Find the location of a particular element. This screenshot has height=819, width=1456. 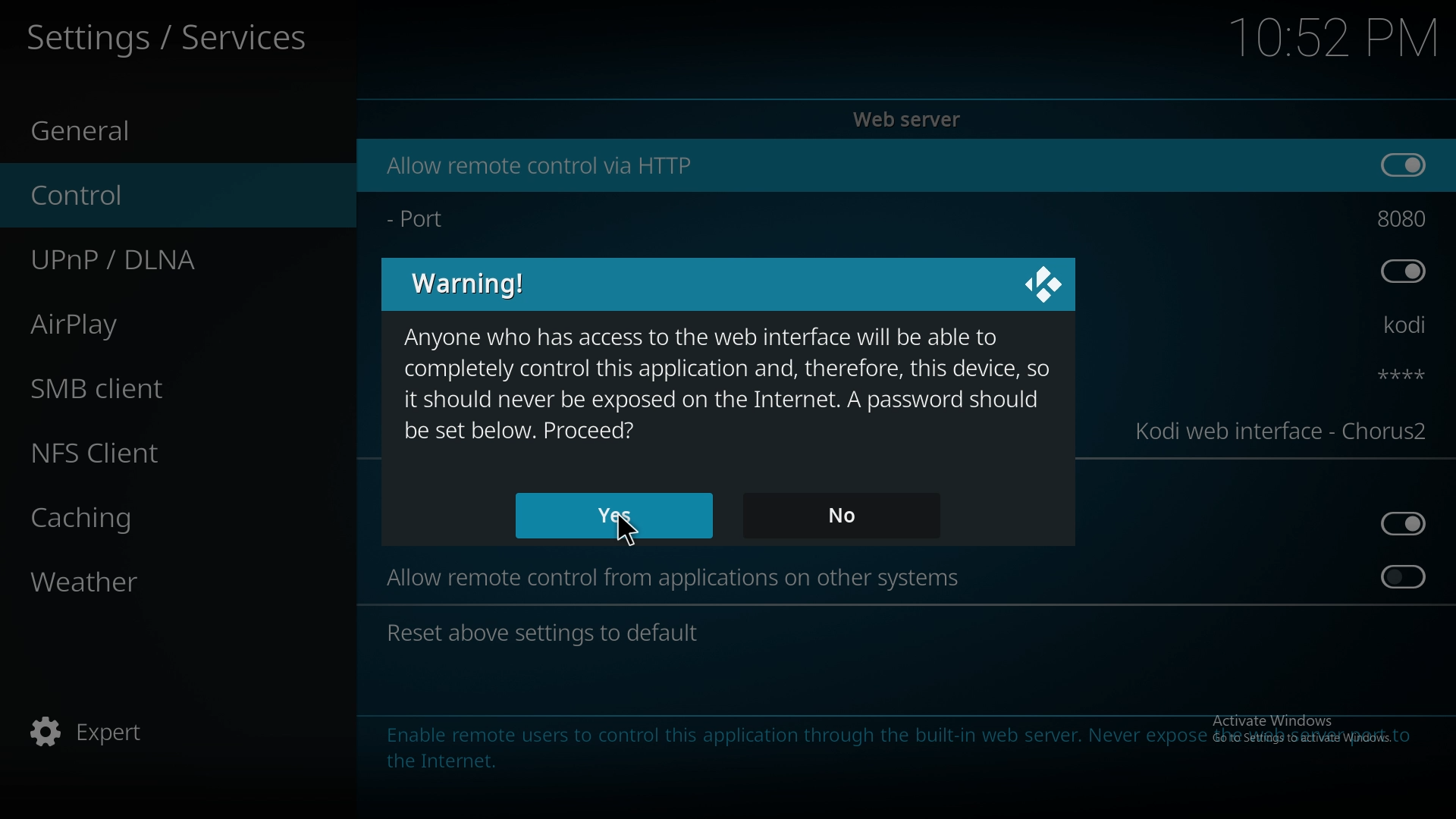

allow remote control from apps on other systems is located at coordinates (676, 578).